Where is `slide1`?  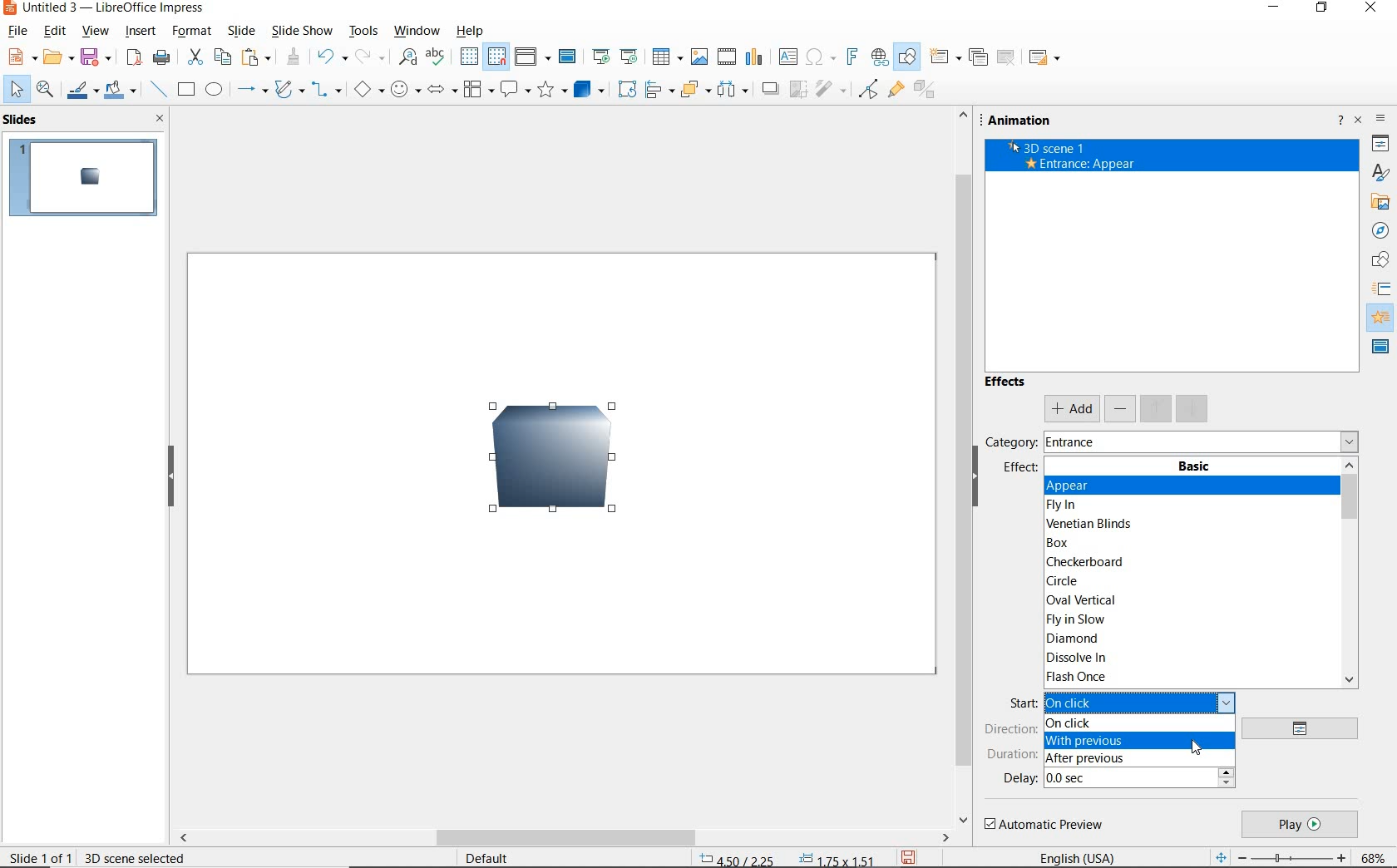
slide1 is located at coordinates (87, 179).